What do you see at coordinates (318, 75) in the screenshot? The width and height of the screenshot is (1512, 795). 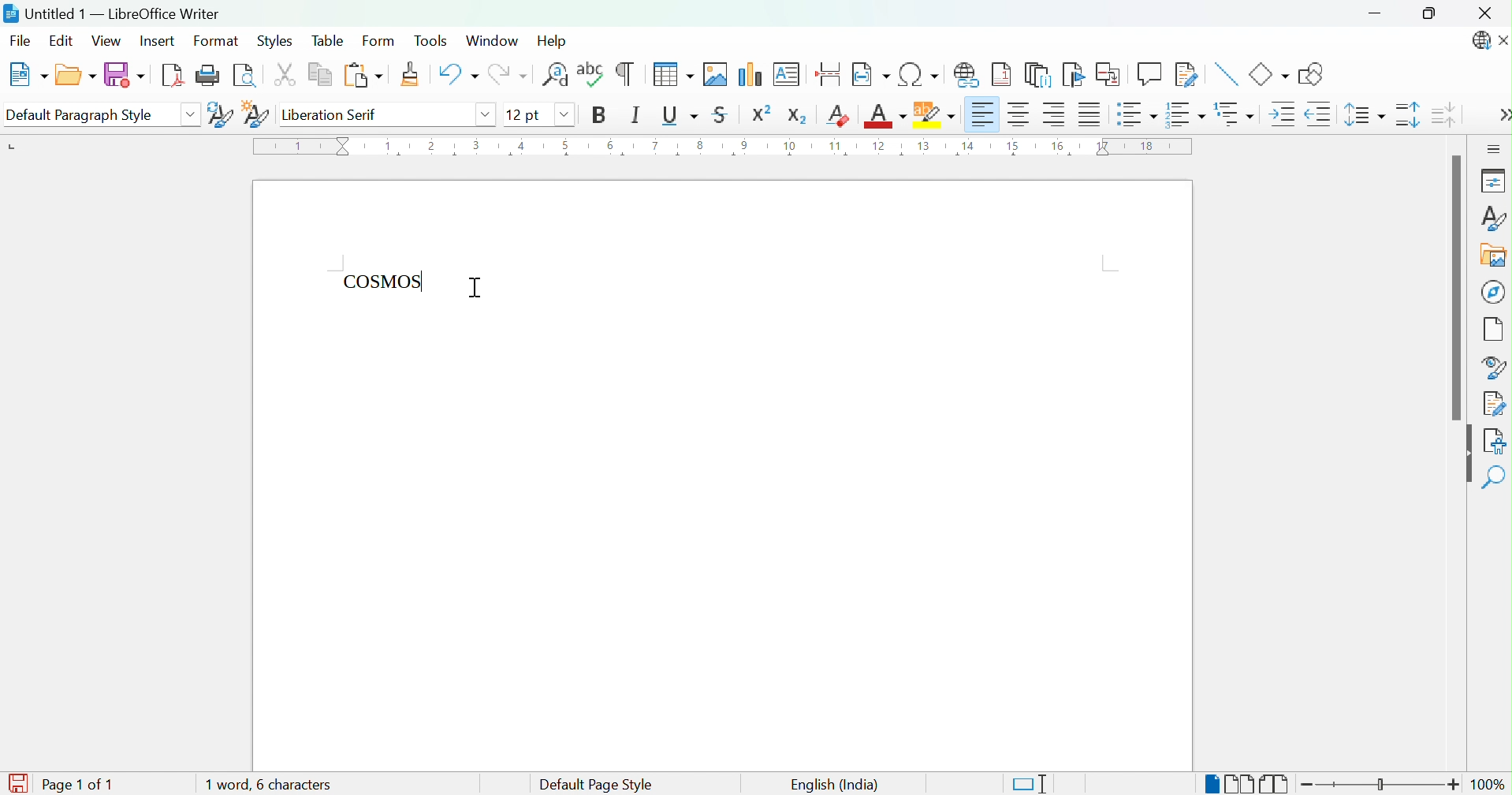 I see `Copy` at bounding box center [318, 75].